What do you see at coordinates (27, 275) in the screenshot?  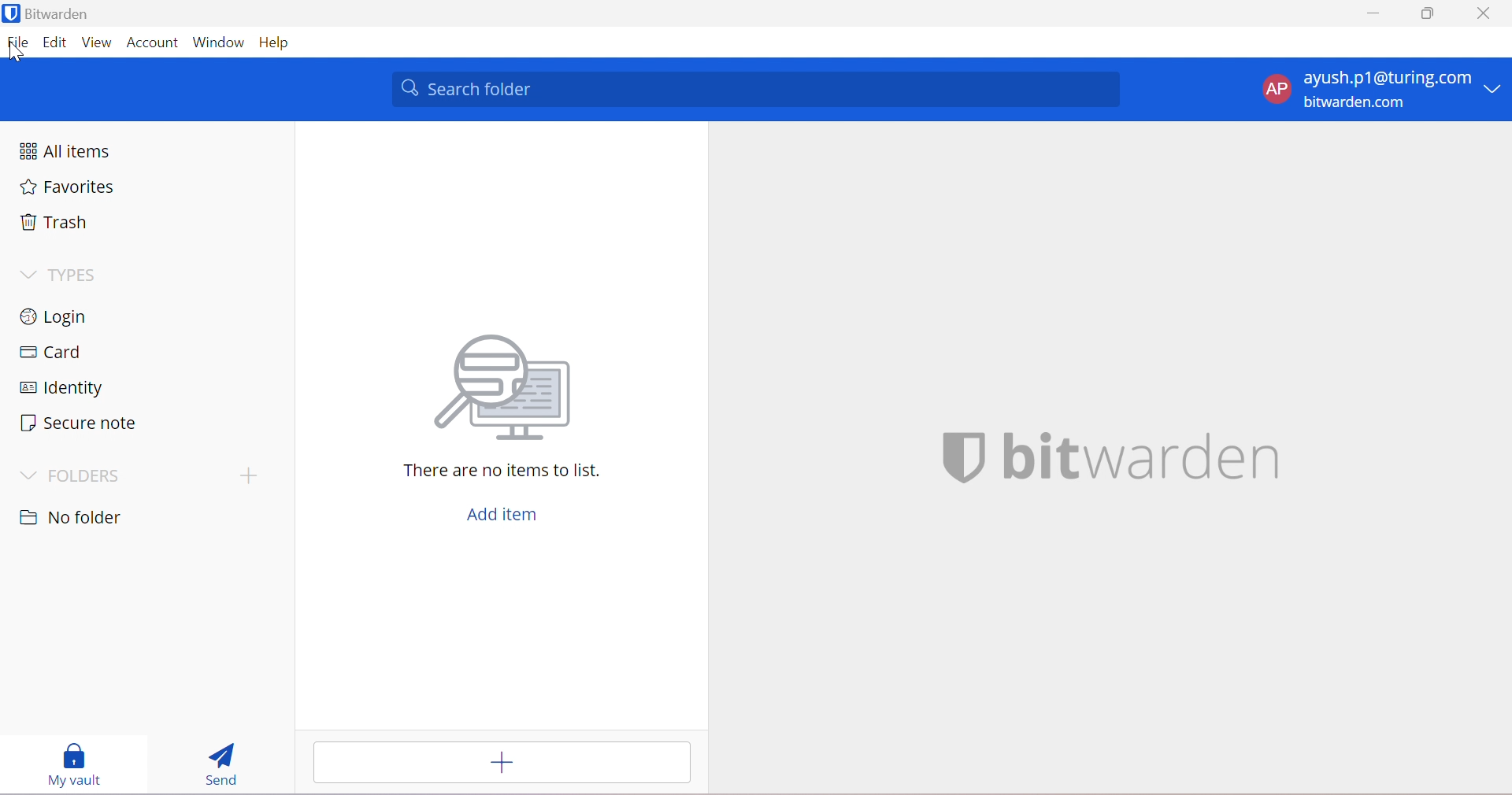 I see `Drop Down` at bounding box center [27, 275].